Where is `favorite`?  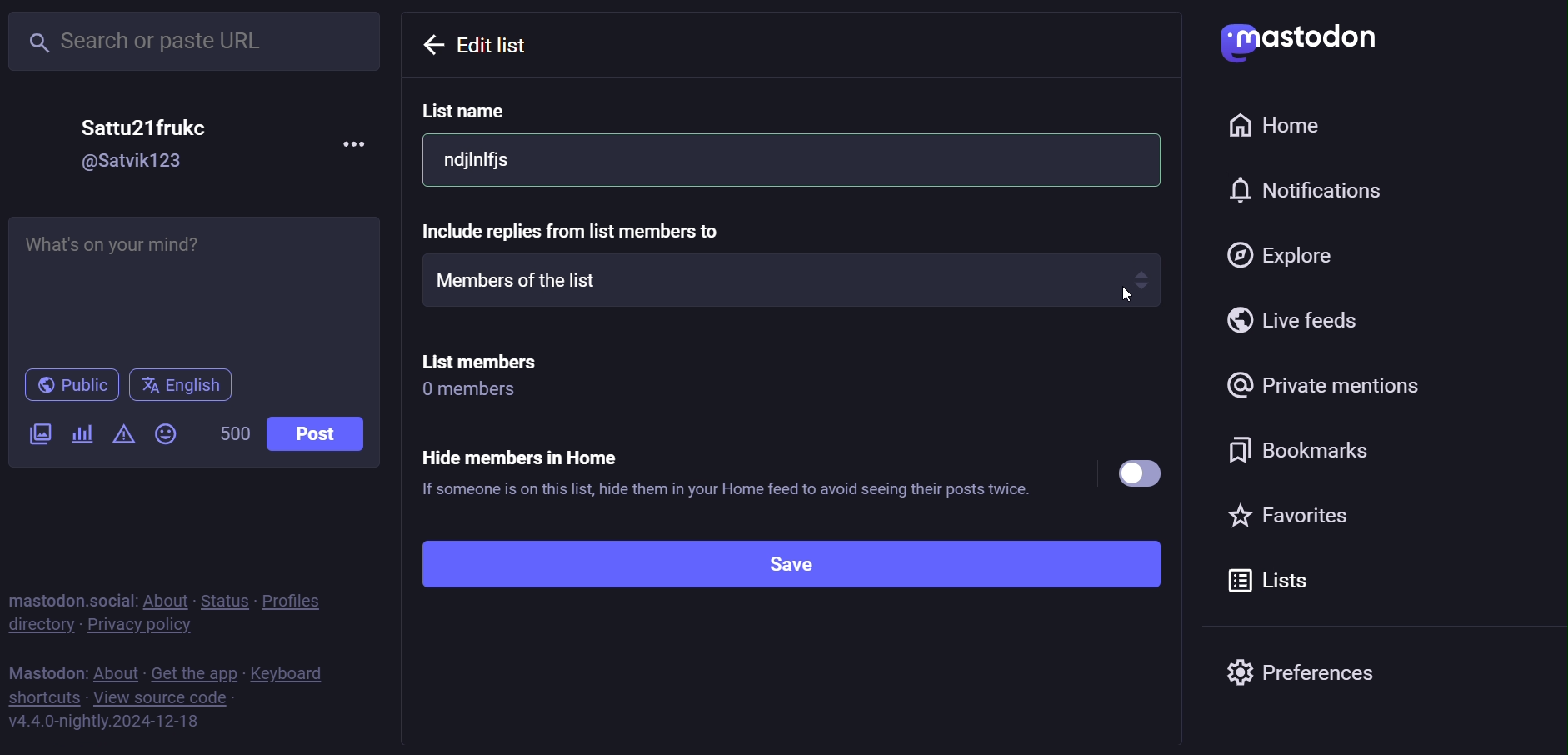
favorite is located at coordinates (1301, 516).